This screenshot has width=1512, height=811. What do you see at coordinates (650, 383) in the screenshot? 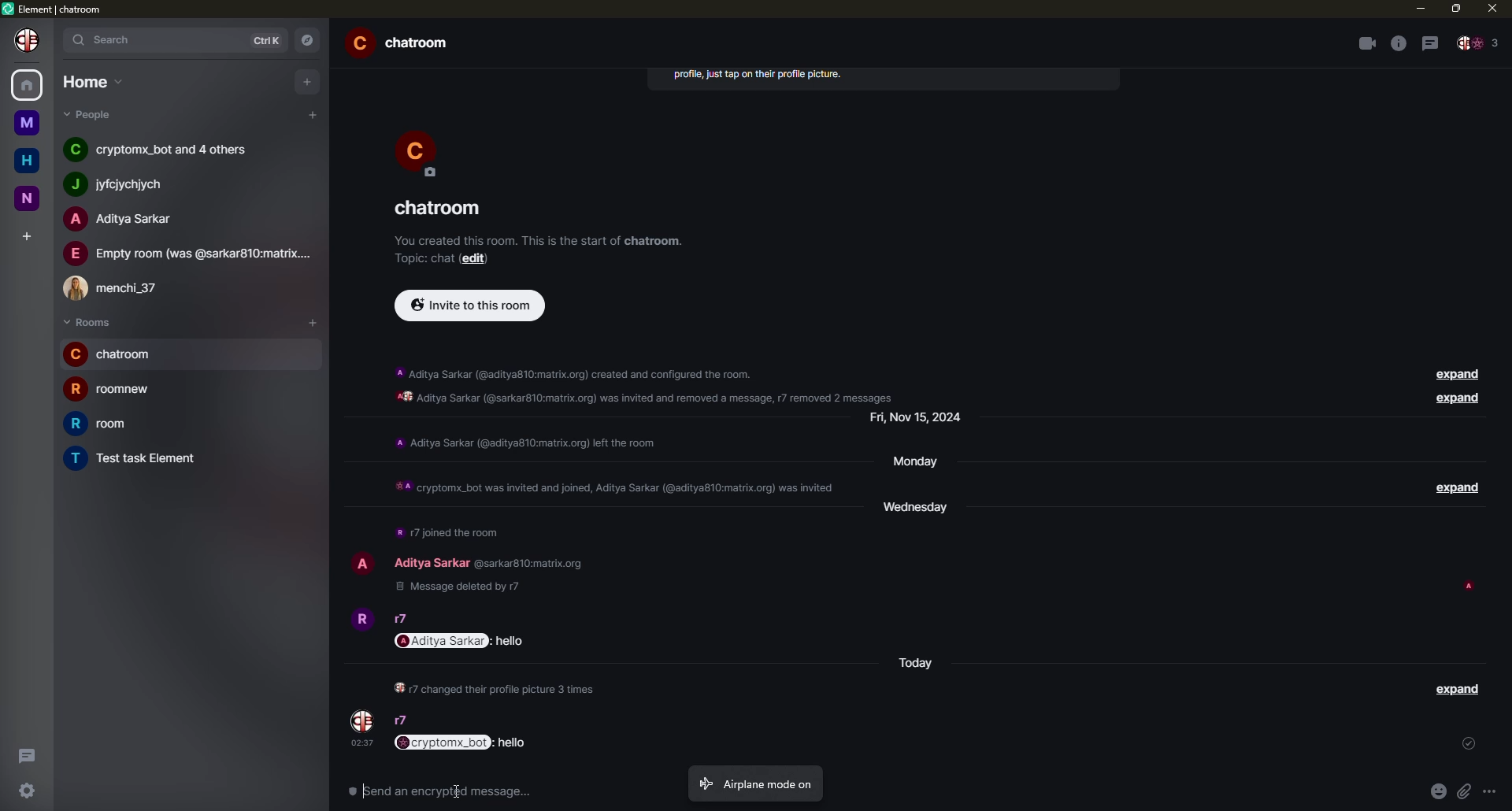
I see `info` at bounding box center [650, 383].